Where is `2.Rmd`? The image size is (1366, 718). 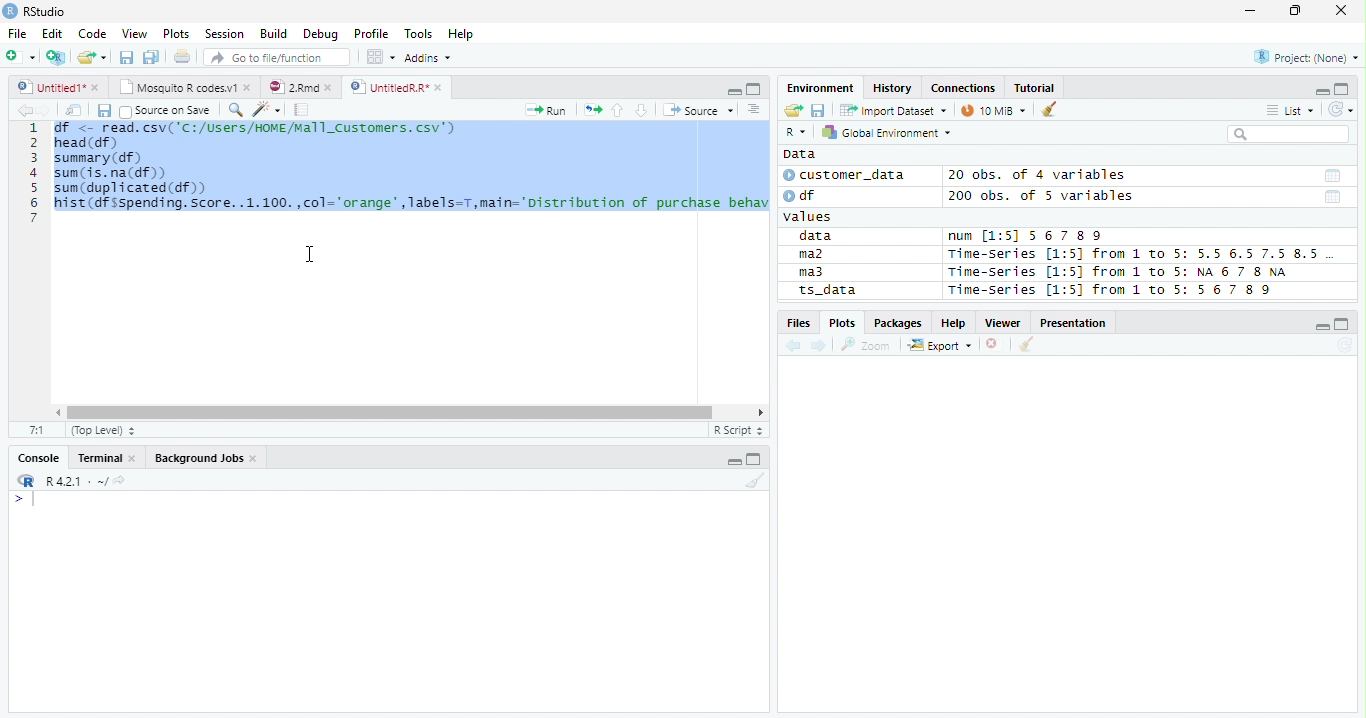 2.Rmd is located at coordinates (302, 88).